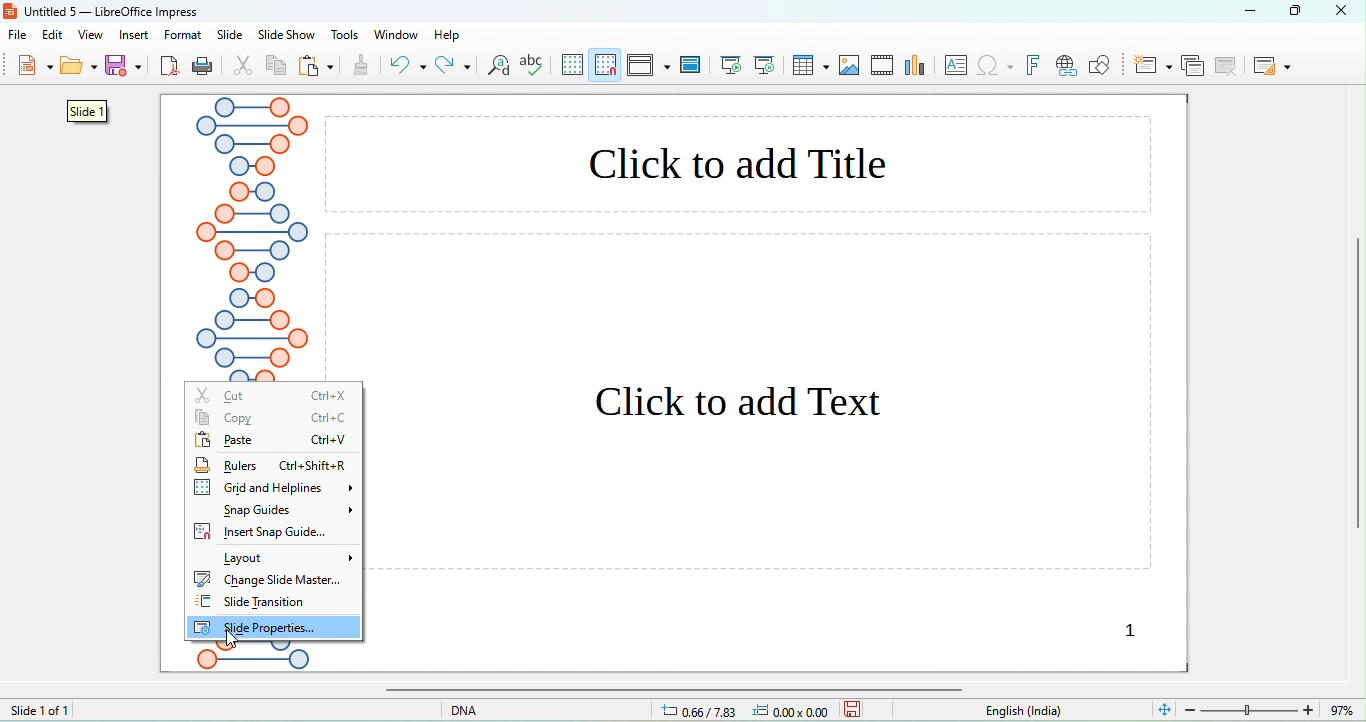 The height and width of the screenshot is (722, 1366). What do you see at coordinates (499, 68) in the screenshot?
I see `find and replace` at bounding box center [499, 68].